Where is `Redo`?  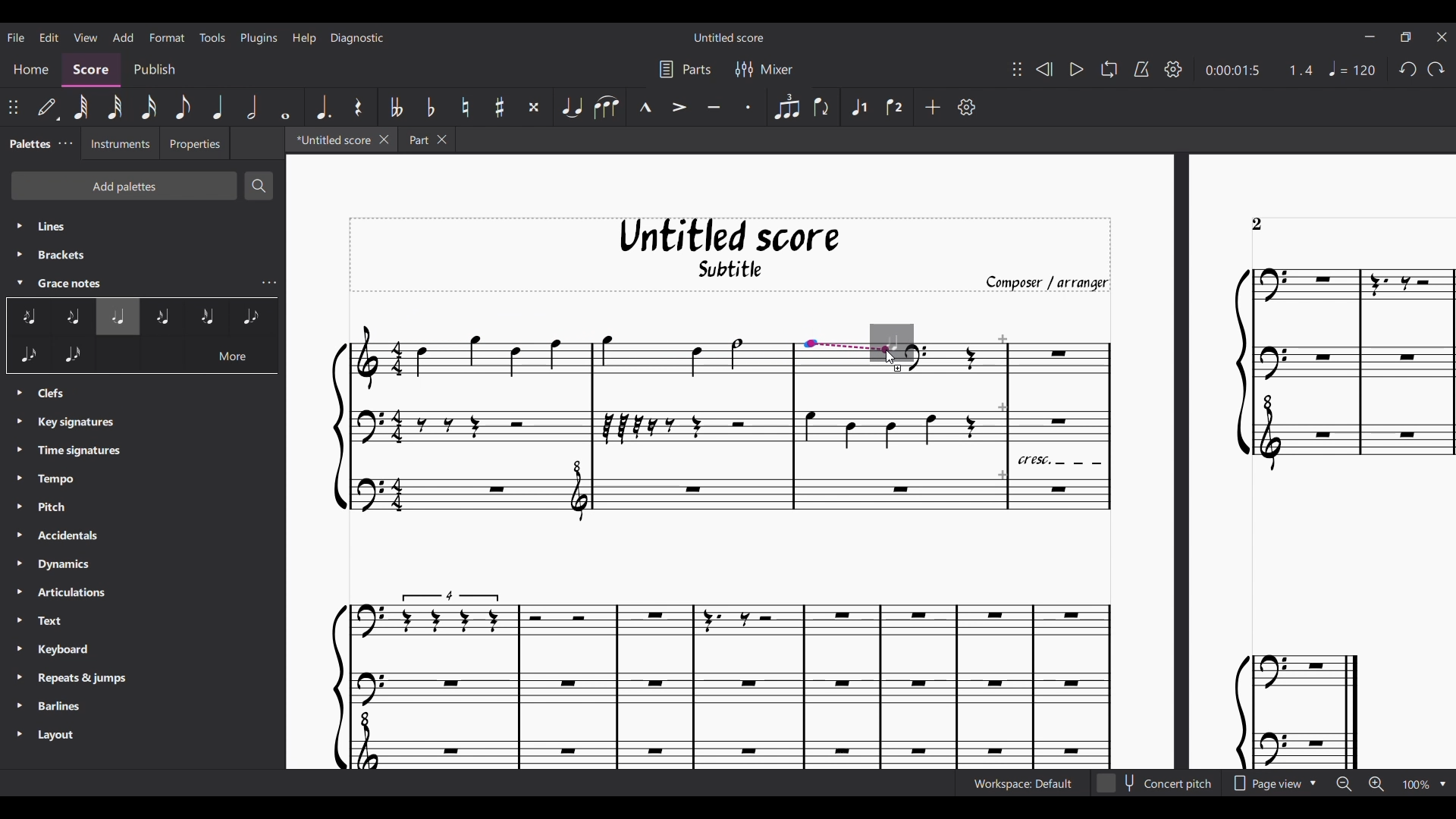
Redo is located at coordinates (1436, 69).